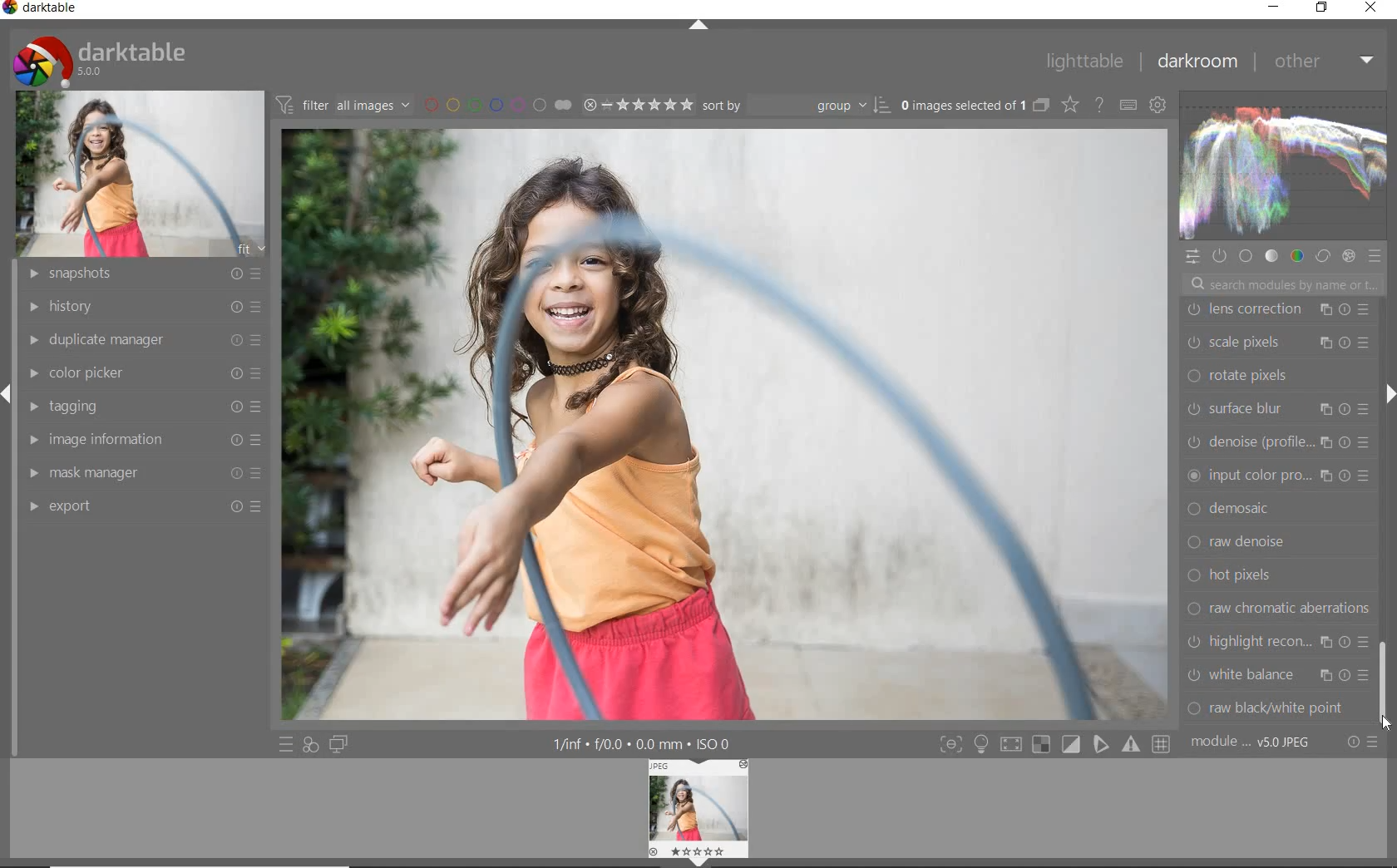 This screenshot has width=1397, height=868. Describe the element at coordinates (142, 469) in the screenshot. I see `mask manager` at that location.